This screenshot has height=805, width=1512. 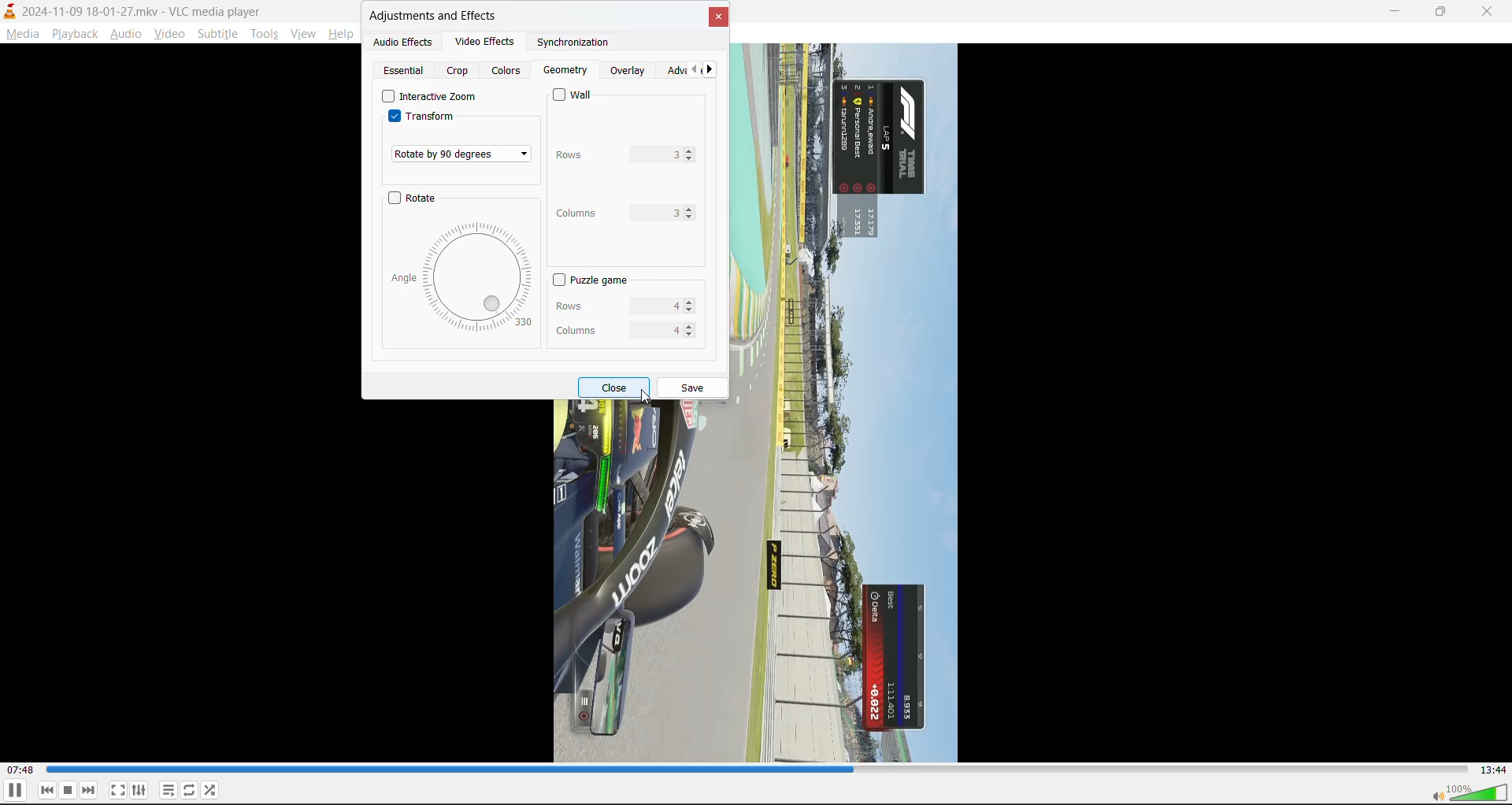 What do you see at coordinates (508, 69) in the screenshot?
I see `colors` at bounding box center [508, 69].